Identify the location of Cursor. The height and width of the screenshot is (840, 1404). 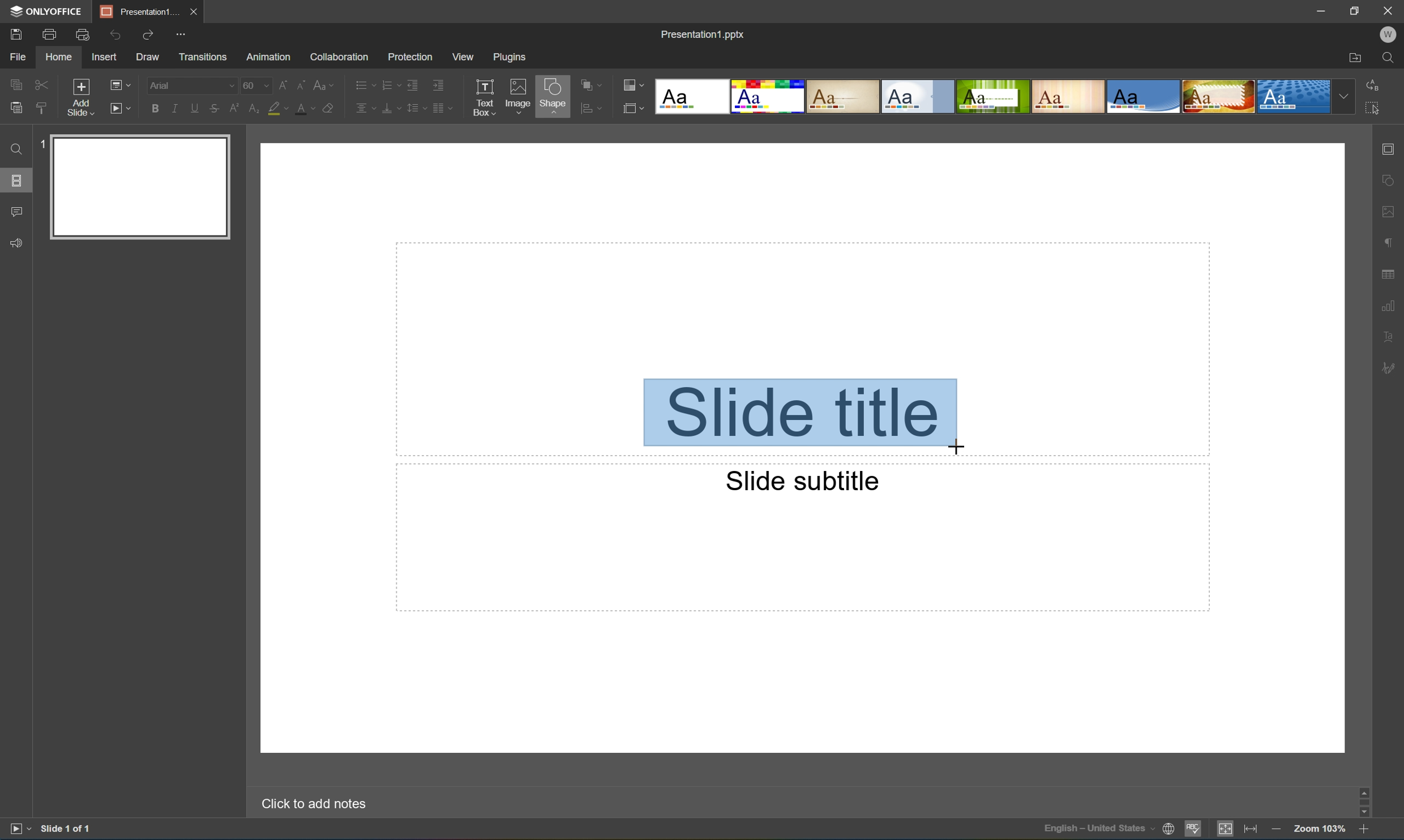
(954, 445).